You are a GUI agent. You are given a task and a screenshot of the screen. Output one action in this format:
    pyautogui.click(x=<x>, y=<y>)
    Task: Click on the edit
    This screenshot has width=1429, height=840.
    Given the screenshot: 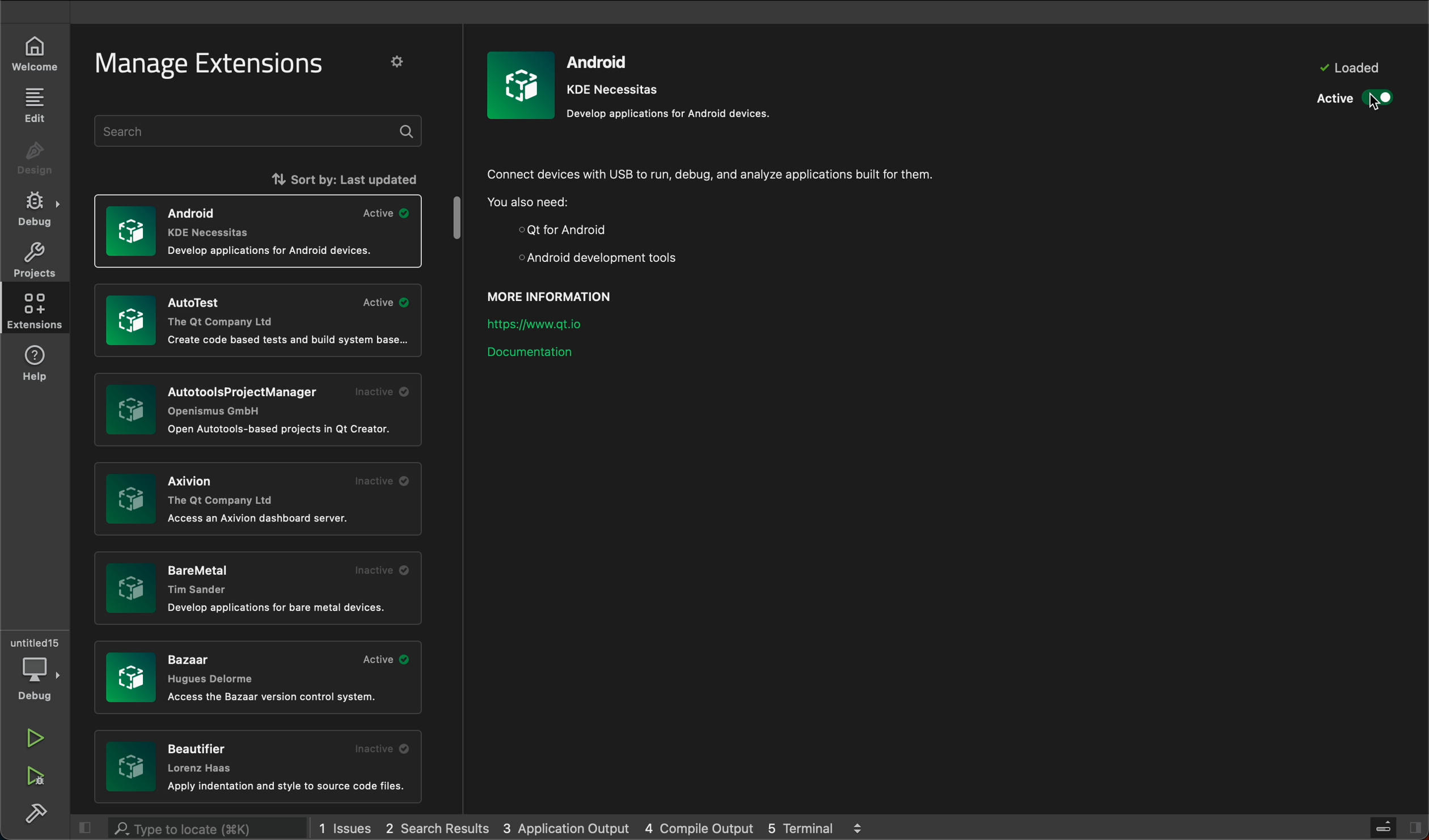 What is the action you would take?
    pyautogui.click(x=33, y=106)
    